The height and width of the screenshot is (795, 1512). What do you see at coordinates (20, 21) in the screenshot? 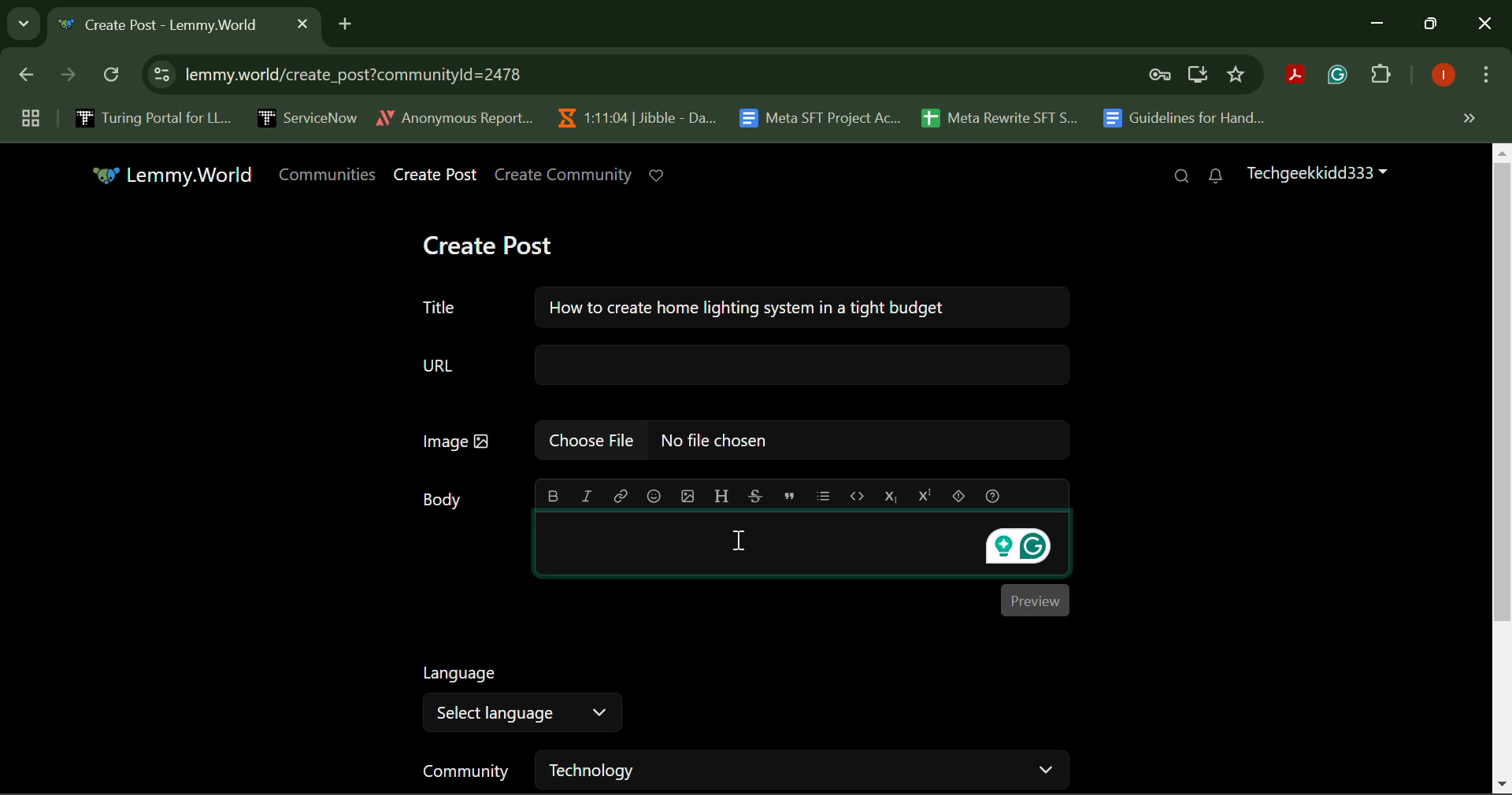
I see `Search Tabs` at bounding box center [20, 21].